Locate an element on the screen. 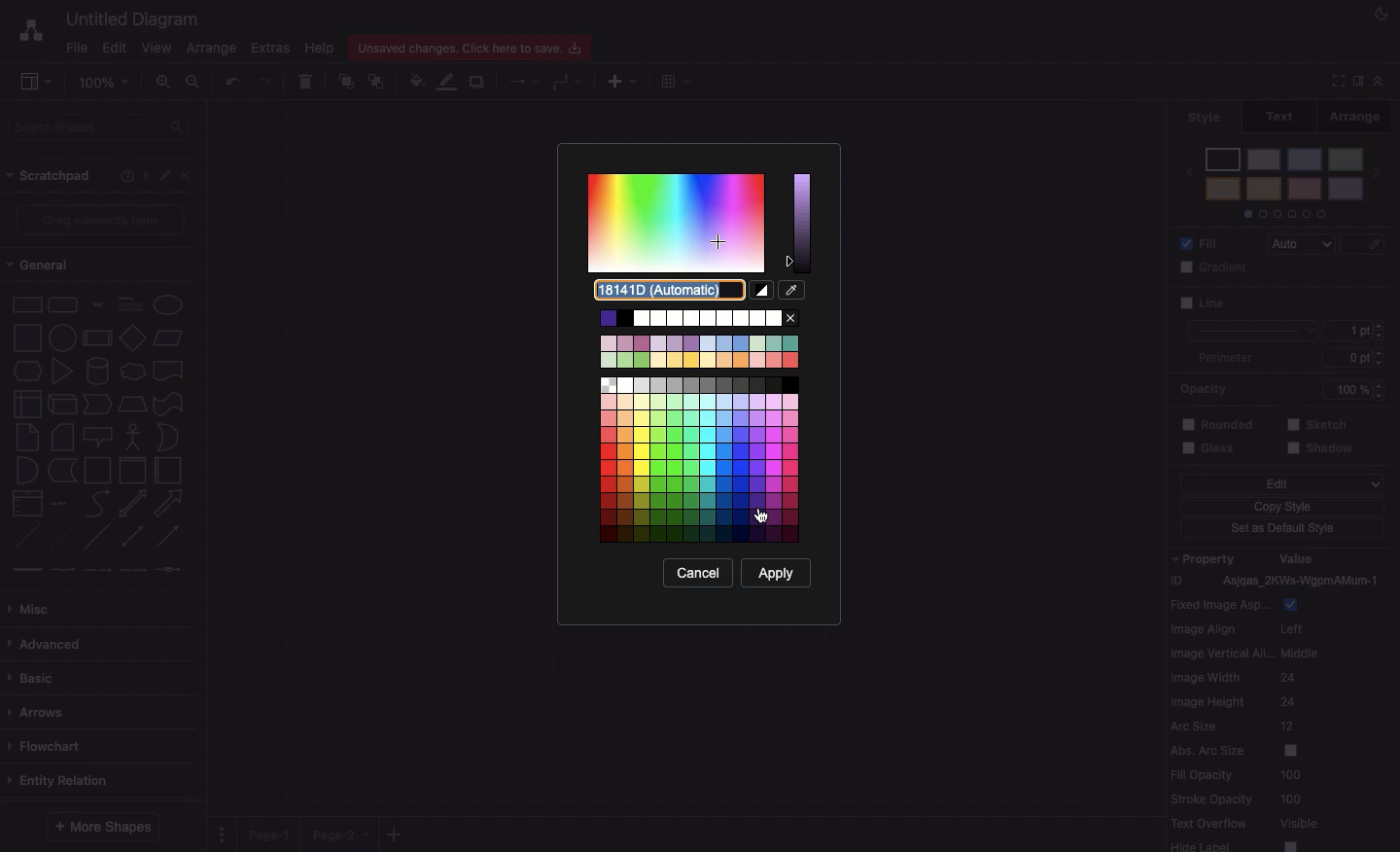  card is located at coordinates (61, 436).